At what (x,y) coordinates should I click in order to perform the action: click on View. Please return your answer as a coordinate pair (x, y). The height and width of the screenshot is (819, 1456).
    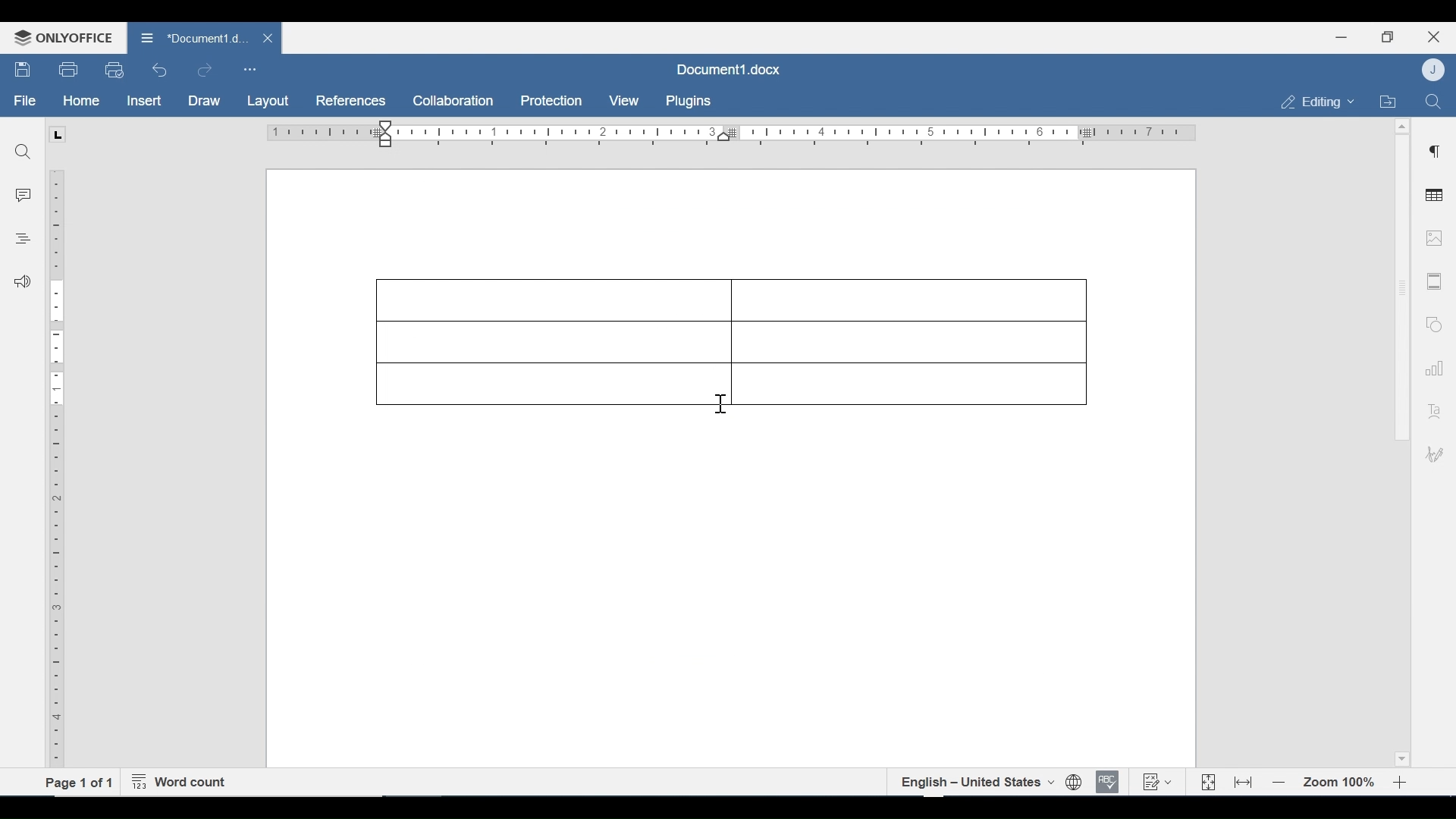
    Looking at the image, I should click on (625, 101).